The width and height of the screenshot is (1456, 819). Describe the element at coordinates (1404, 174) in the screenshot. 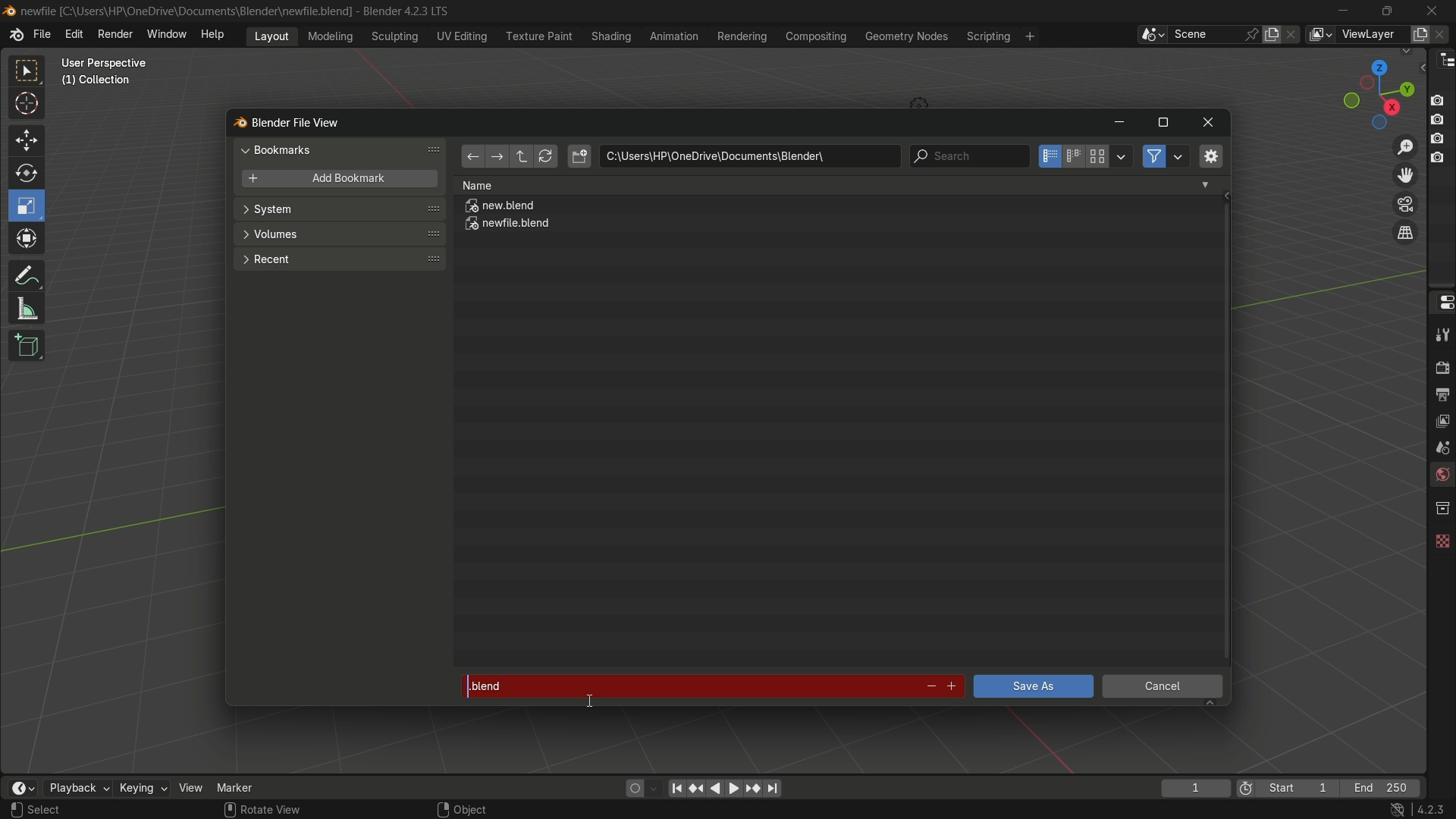

I see `move view layer` at that location.